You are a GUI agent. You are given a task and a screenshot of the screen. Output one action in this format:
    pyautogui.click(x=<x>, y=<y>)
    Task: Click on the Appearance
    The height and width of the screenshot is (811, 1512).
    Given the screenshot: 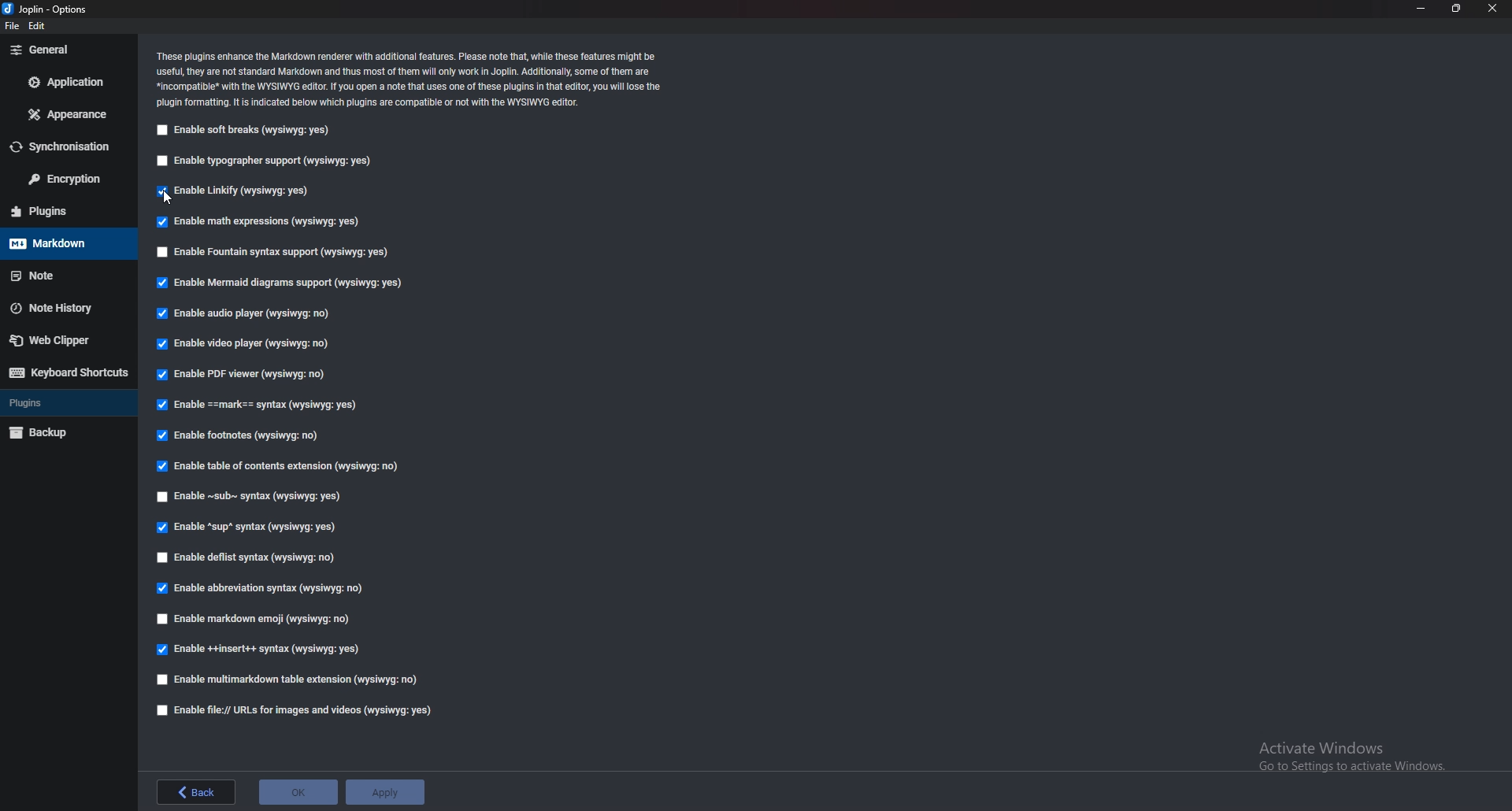 What is the action you would take?
    pyautogui.click(x=69, y=114)
    